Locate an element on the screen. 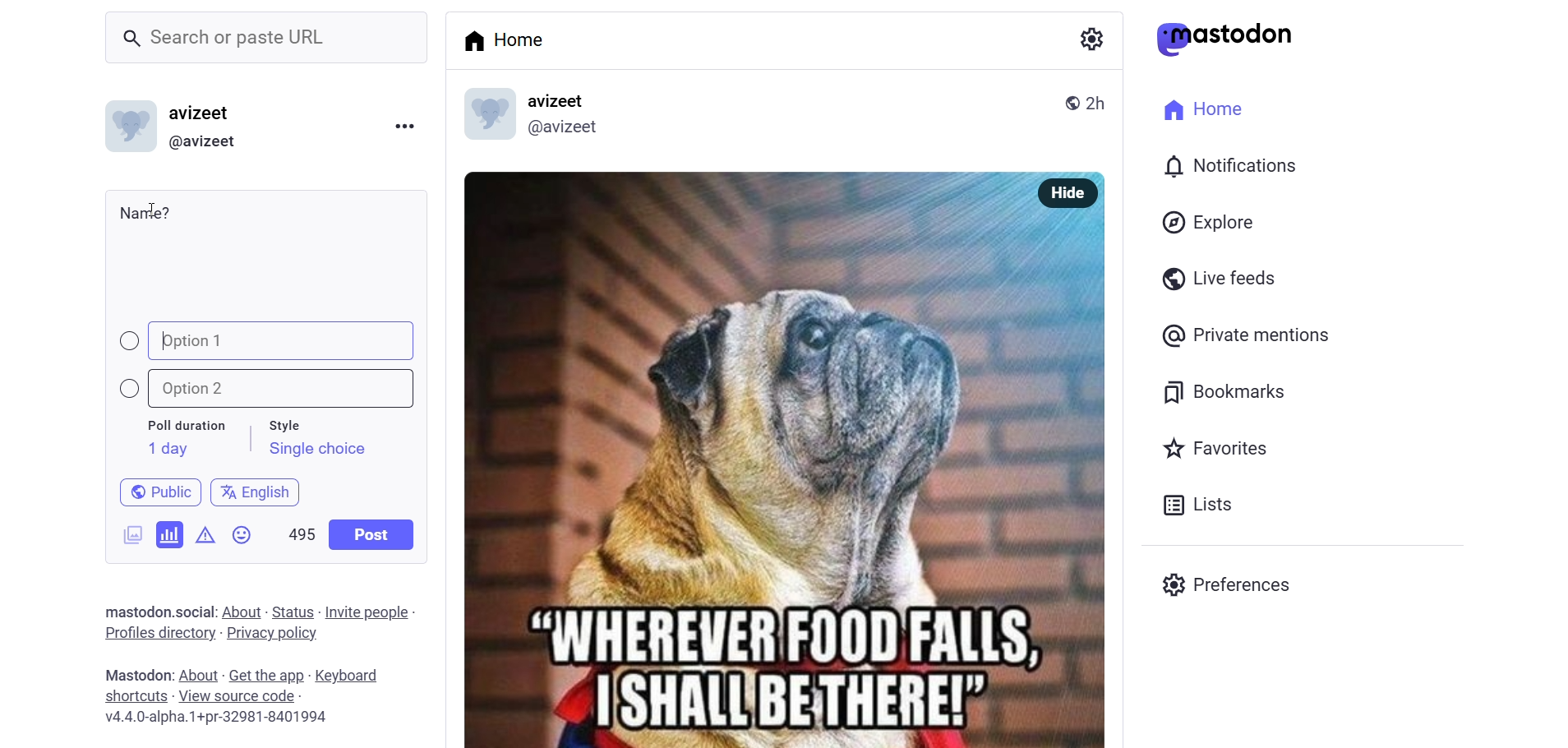  profiles is located at coordinates (159, 632).